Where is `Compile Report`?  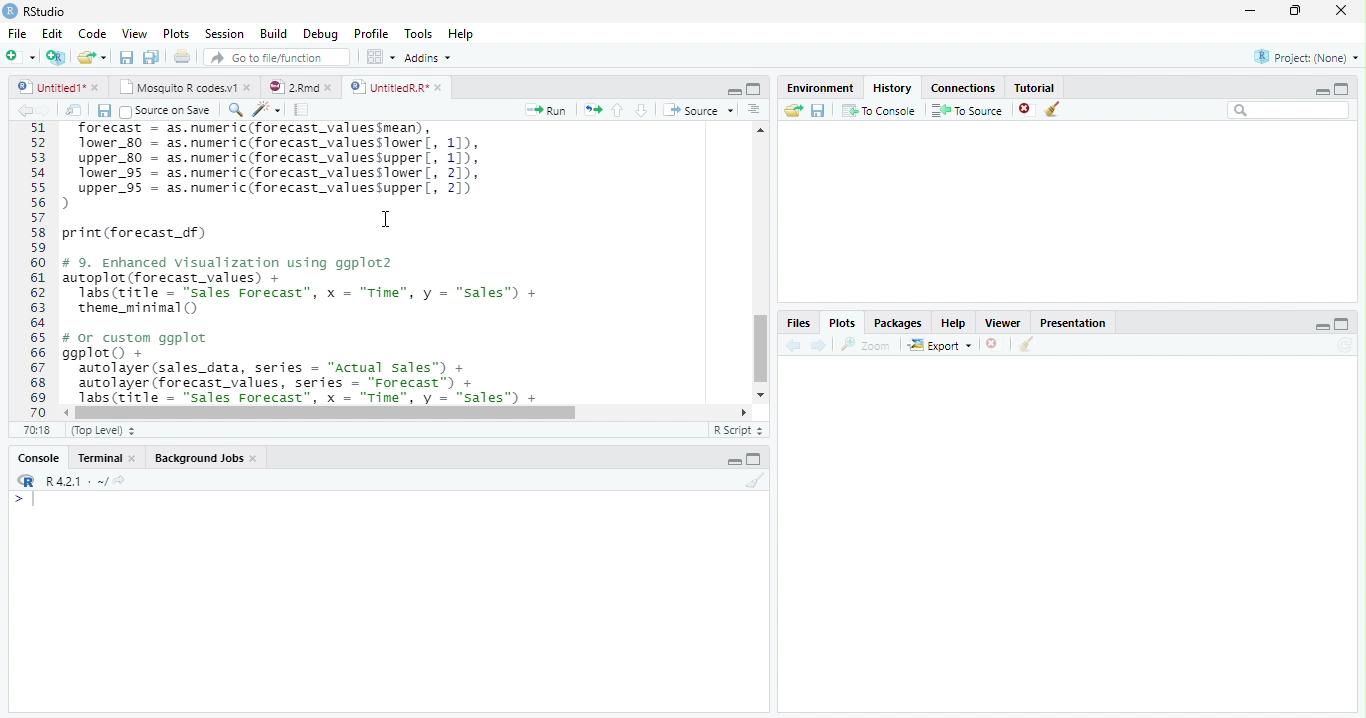
Compile Report is located at coordinates (303, 109).